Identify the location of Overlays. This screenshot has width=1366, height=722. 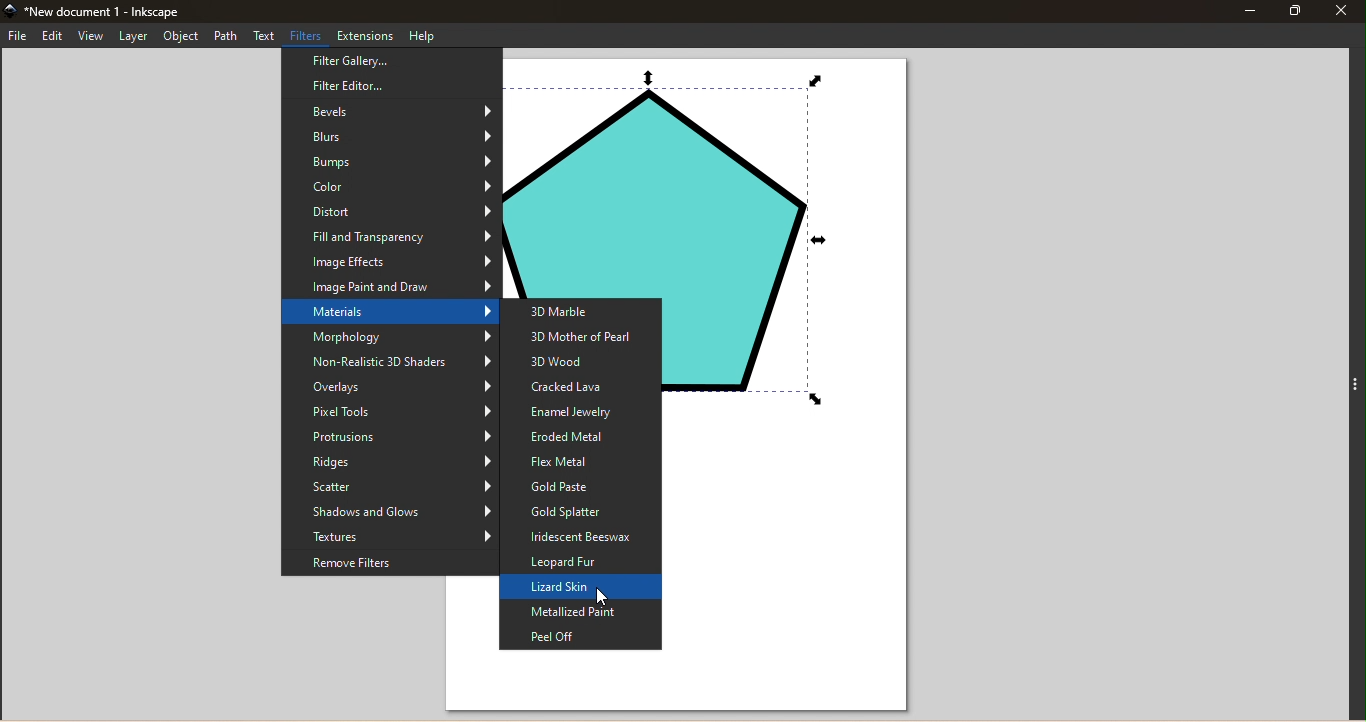
(389, 389).